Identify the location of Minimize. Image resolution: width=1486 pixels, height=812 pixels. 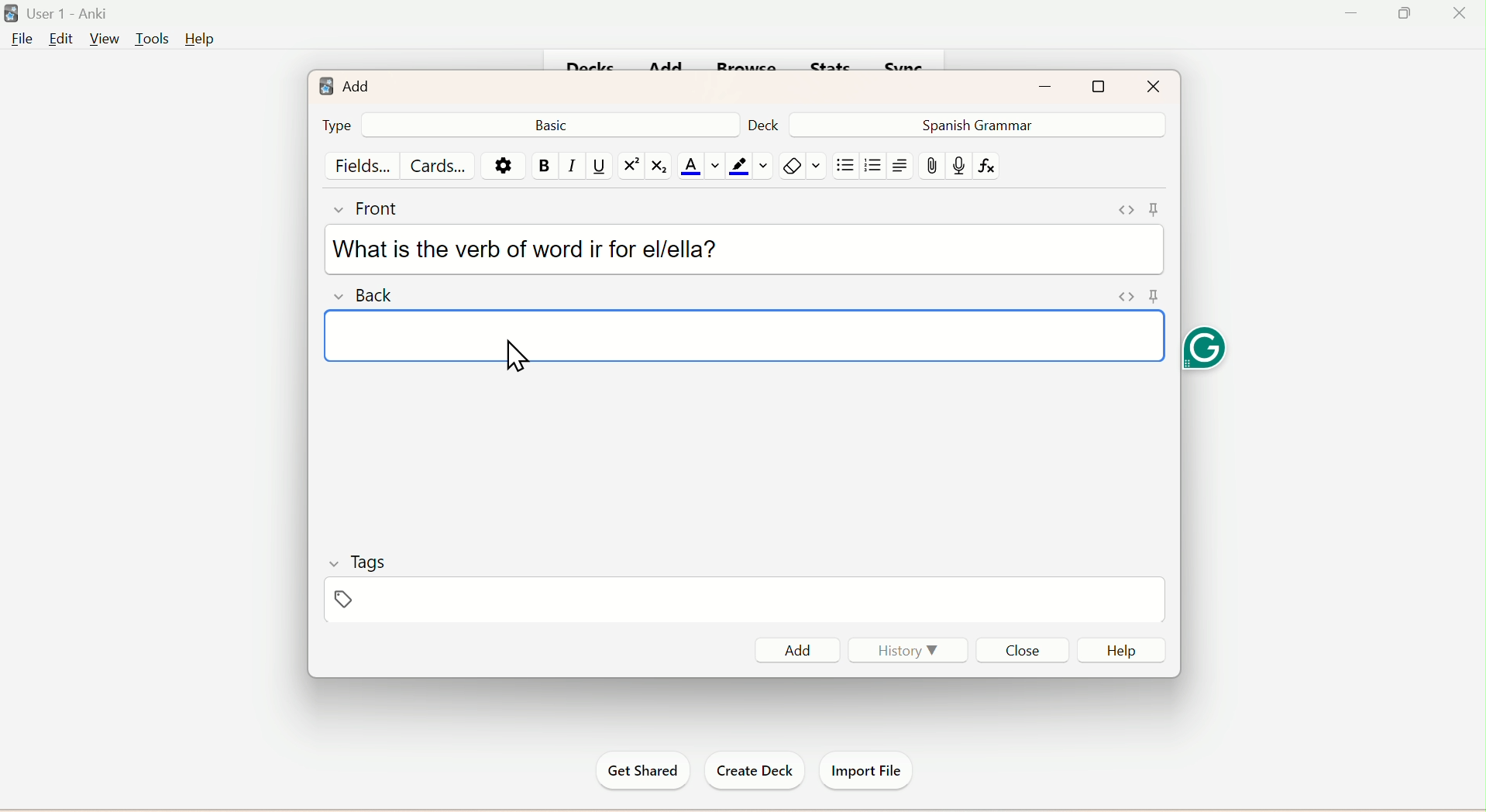
(1354, 13).